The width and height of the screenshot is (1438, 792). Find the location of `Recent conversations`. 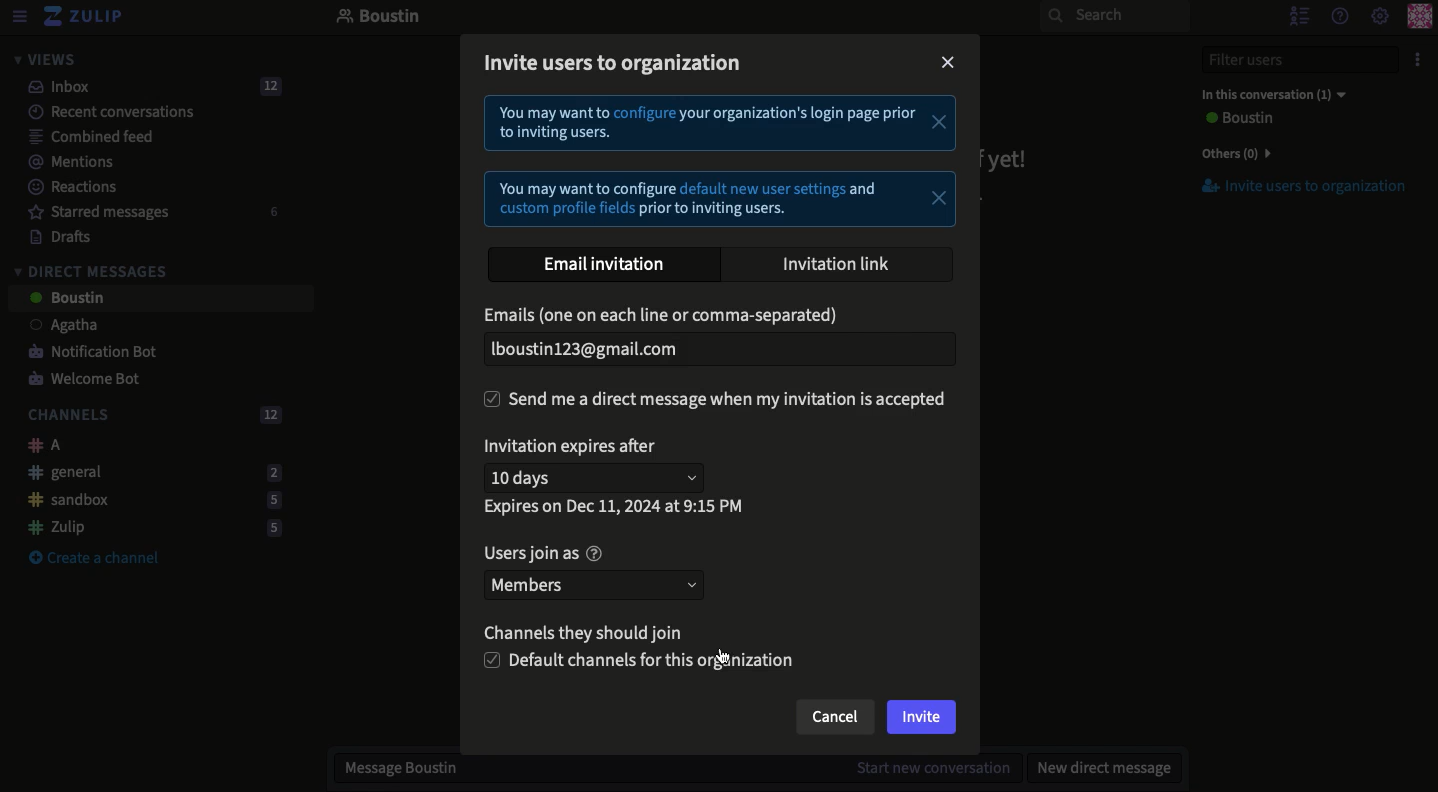

Recent conversations is located at coordinates (99, 111).